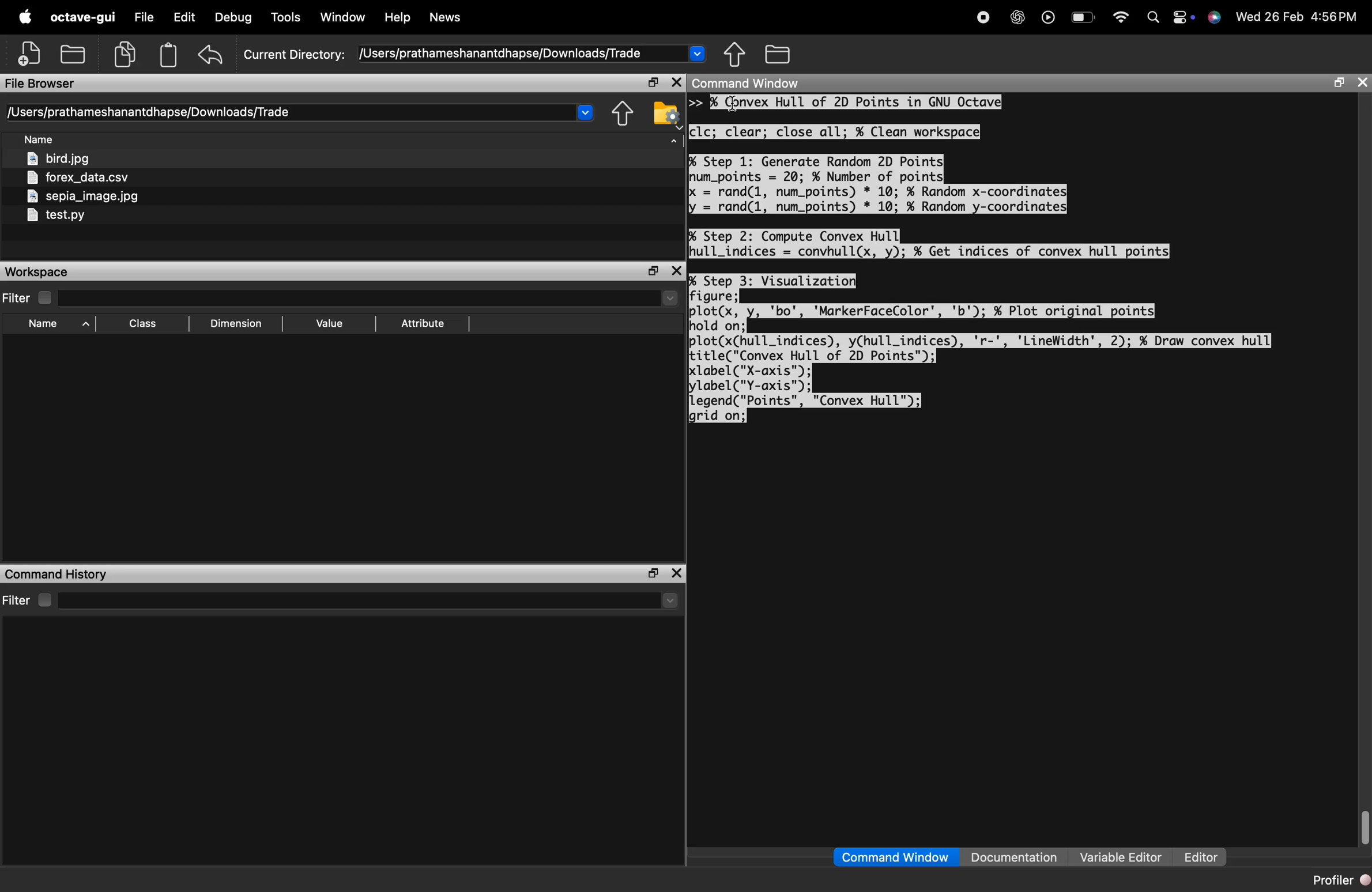 The height and width of the screenshot is (892, 1372). What do you see at coordinates (1340, 880) in the screenshot?
I see `Profiler` at bounding box center [1340, 880].